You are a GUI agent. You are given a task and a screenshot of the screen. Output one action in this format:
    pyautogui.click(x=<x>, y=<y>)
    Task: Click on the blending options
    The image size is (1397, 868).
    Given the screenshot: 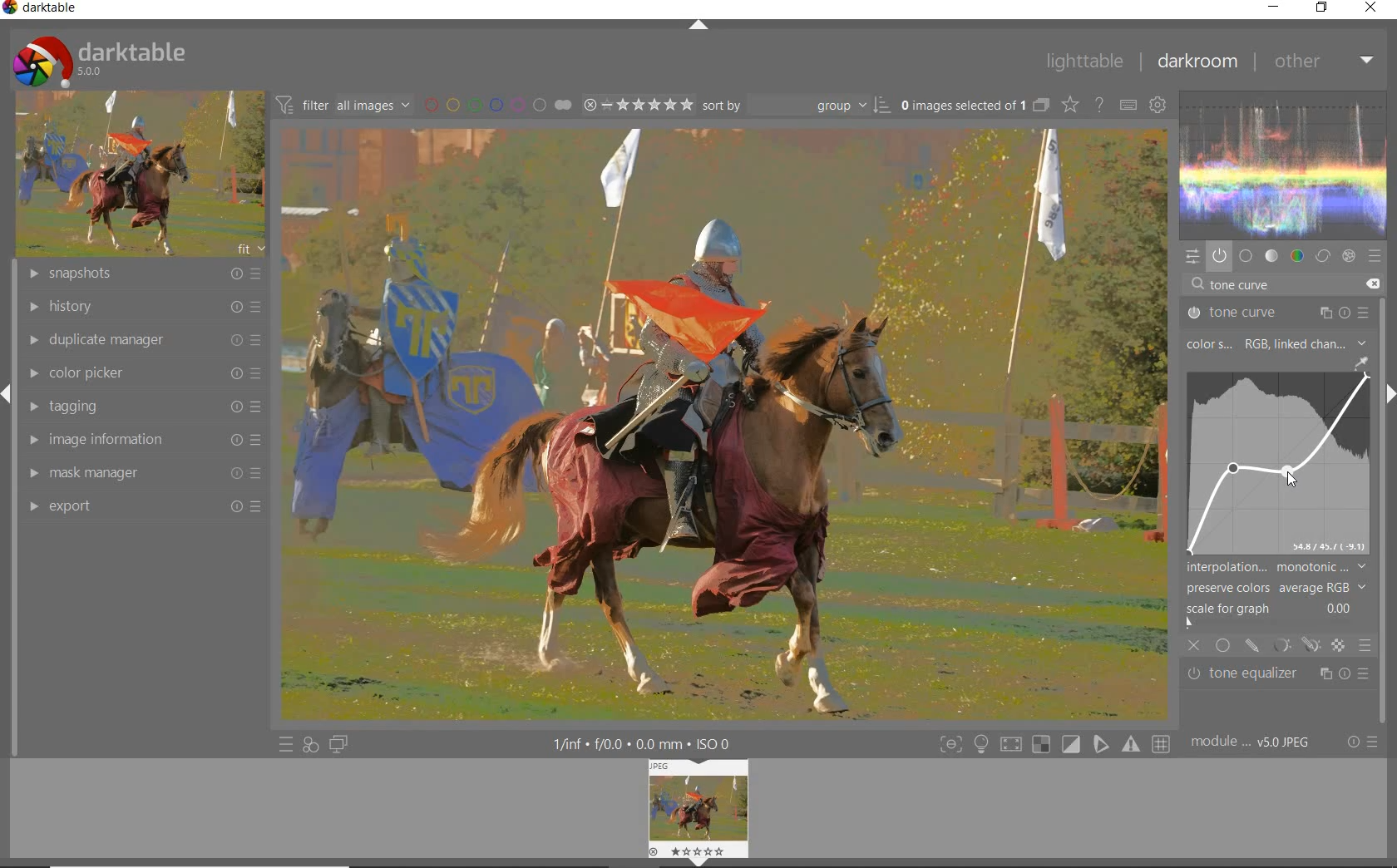 What is the action you would take?
    pyautogui.click(x=1364, y=644)
    